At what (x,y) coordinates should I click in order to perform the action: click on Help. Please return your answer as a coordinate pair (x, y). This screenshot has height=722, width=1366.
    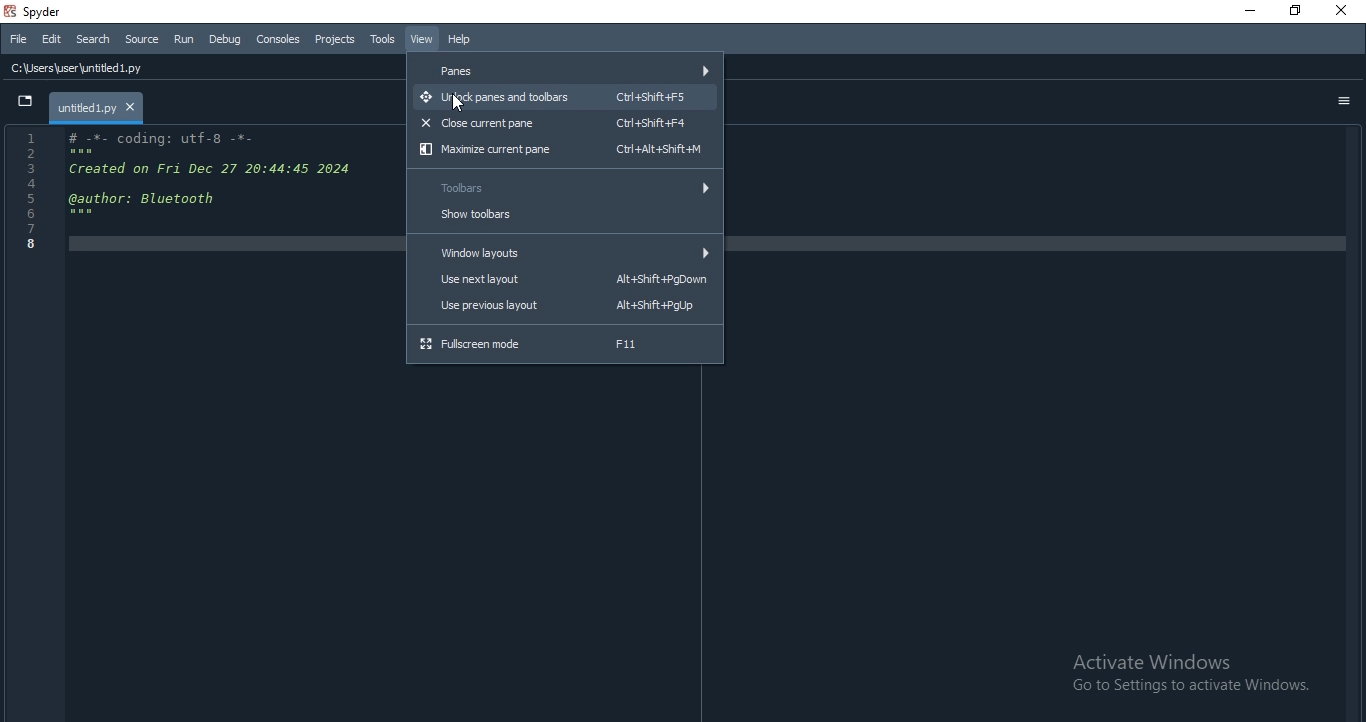
    Looking at the image, I should click on (459, 39).